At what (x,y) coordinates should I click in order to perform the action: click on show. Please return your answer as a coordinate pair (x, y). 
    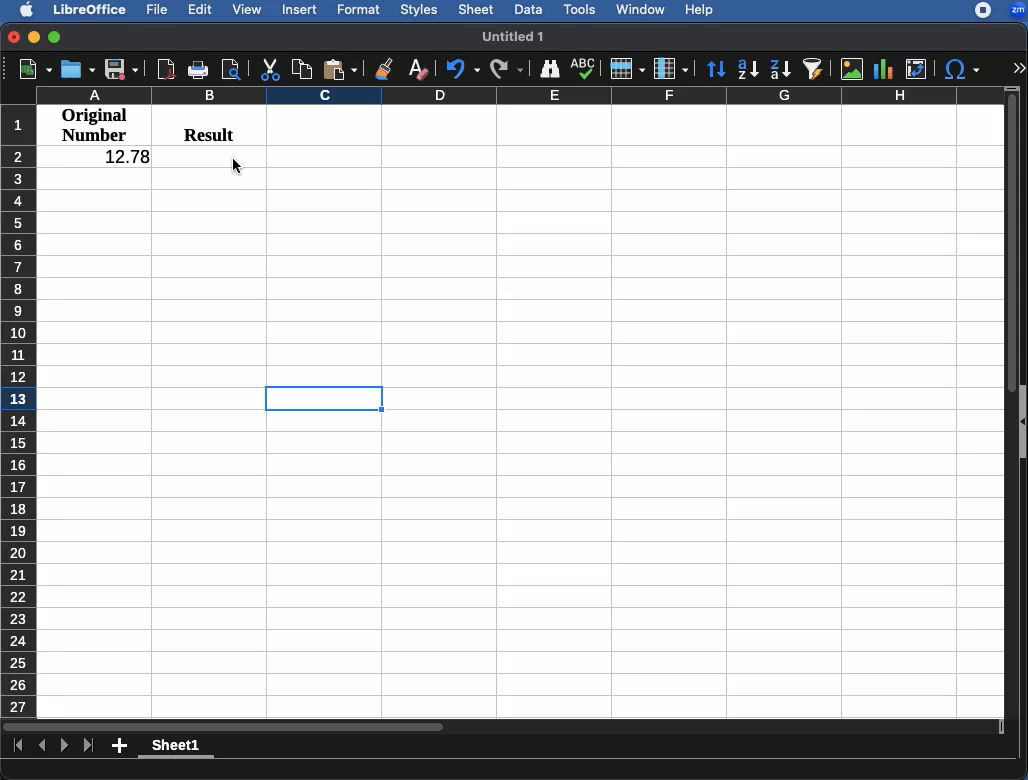
    Looking at the image, I should click on (1022, 422).